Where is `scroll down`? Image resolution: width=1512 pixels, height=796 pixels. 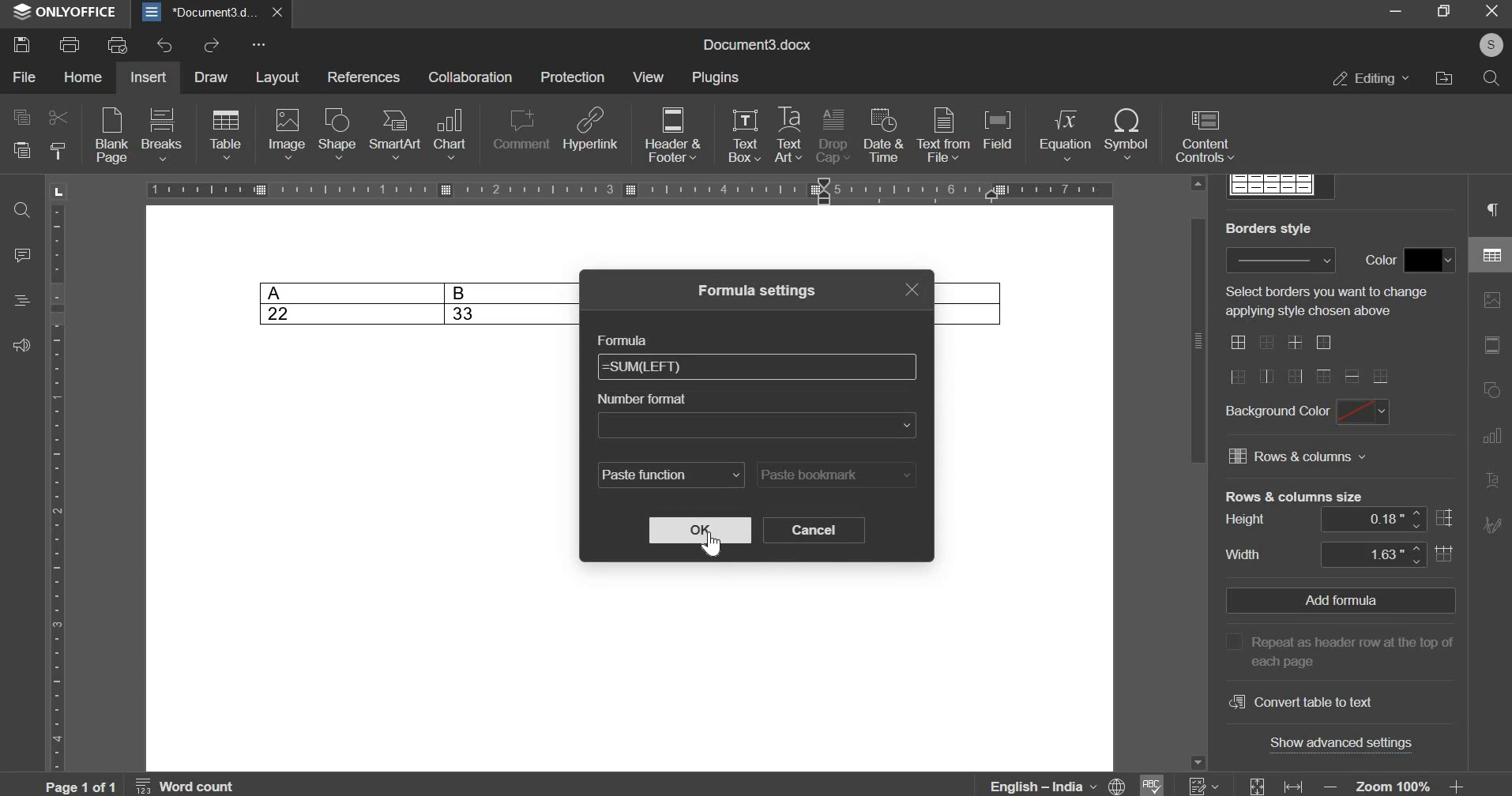
scroll down is located at coordinates (1198, 763).